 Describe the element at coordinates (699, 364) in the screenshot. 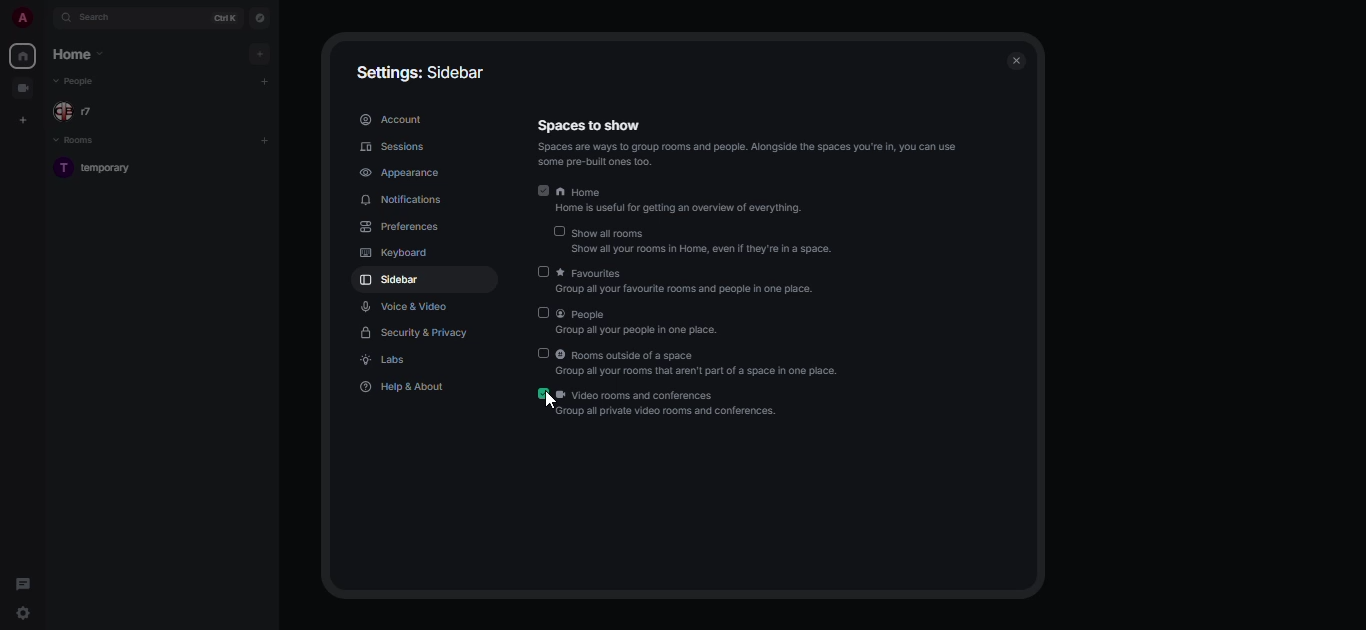

I see `rooms outside of a space` at that location.